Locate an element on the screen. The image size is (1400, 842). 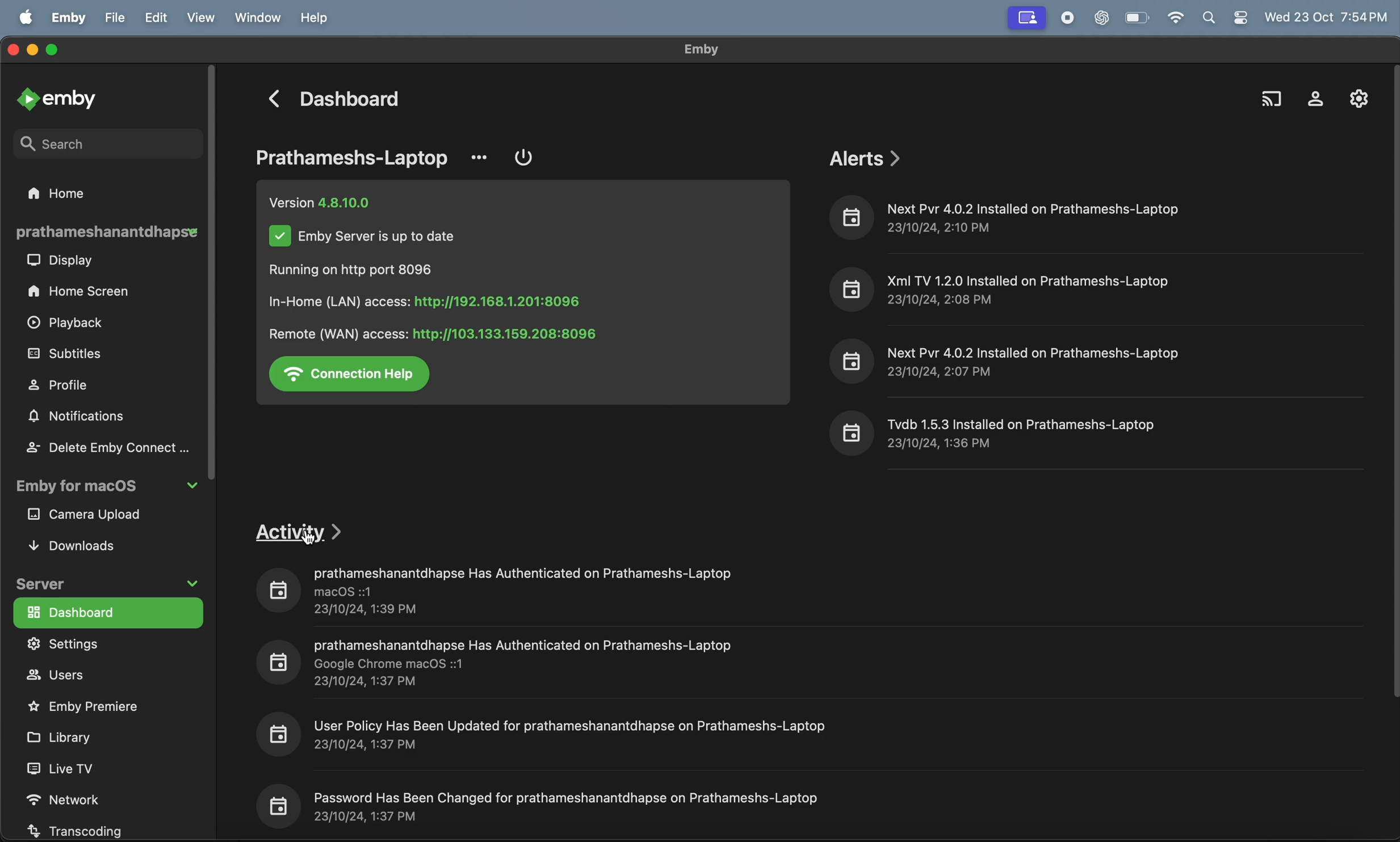
live tv is located at coordinates (79, 768).